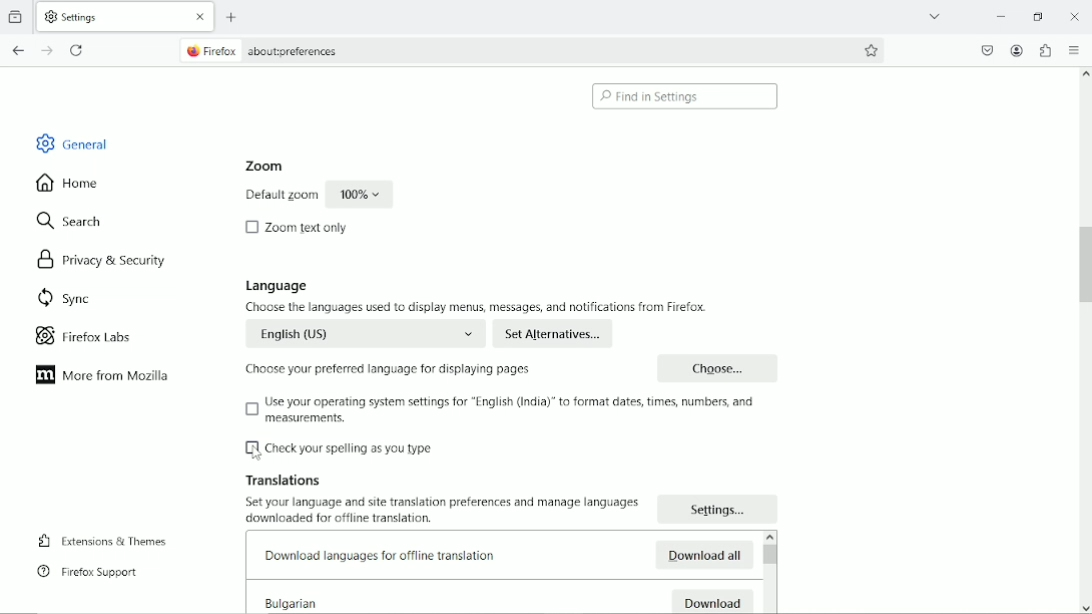  Describe the element at coordinates (105, 374) in the screenshot. I see `More from mozilla` at that location.